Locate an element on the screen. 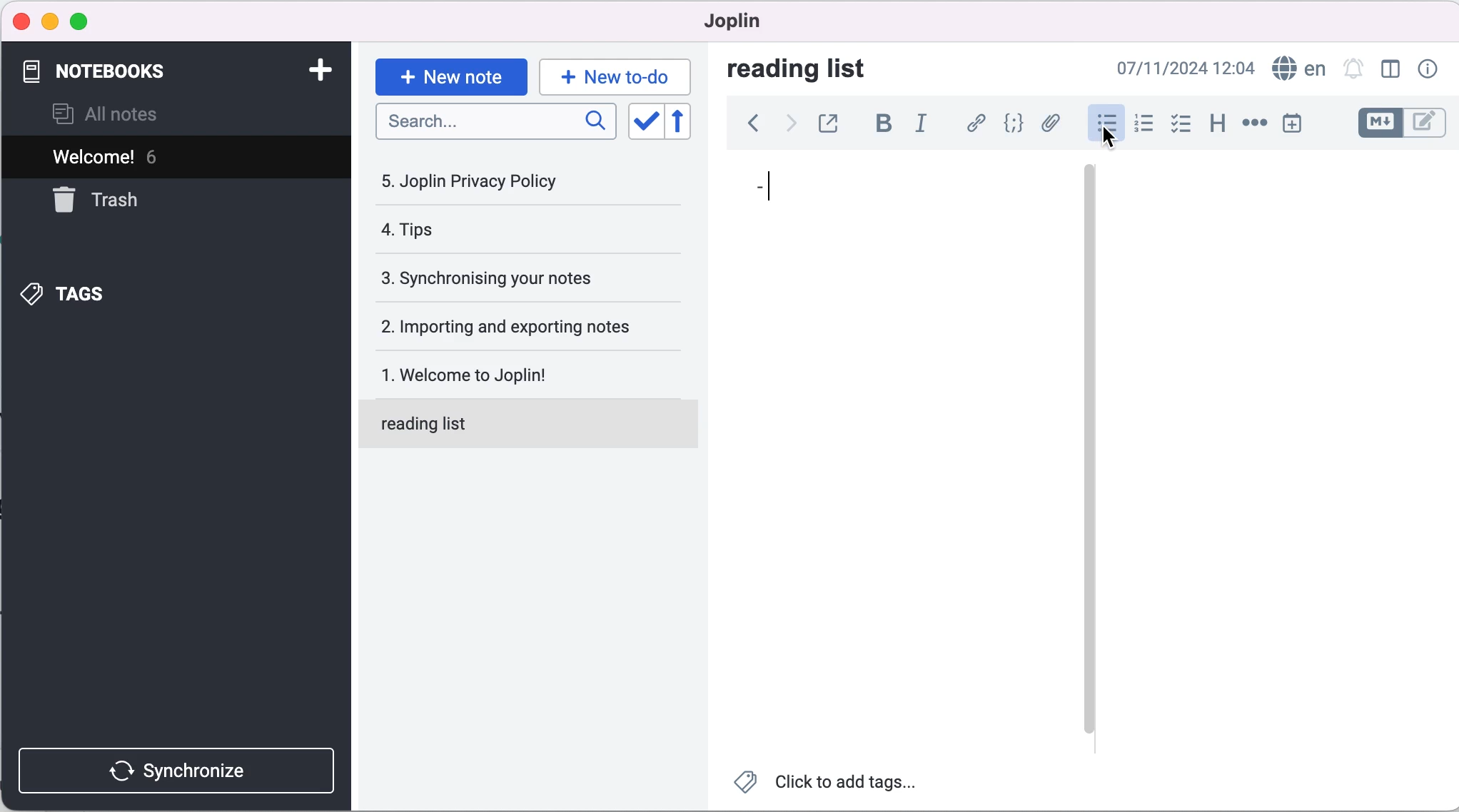 The width and height of the screenshot is (1459, 812). numbered list is located at coordinates (1144, 126).